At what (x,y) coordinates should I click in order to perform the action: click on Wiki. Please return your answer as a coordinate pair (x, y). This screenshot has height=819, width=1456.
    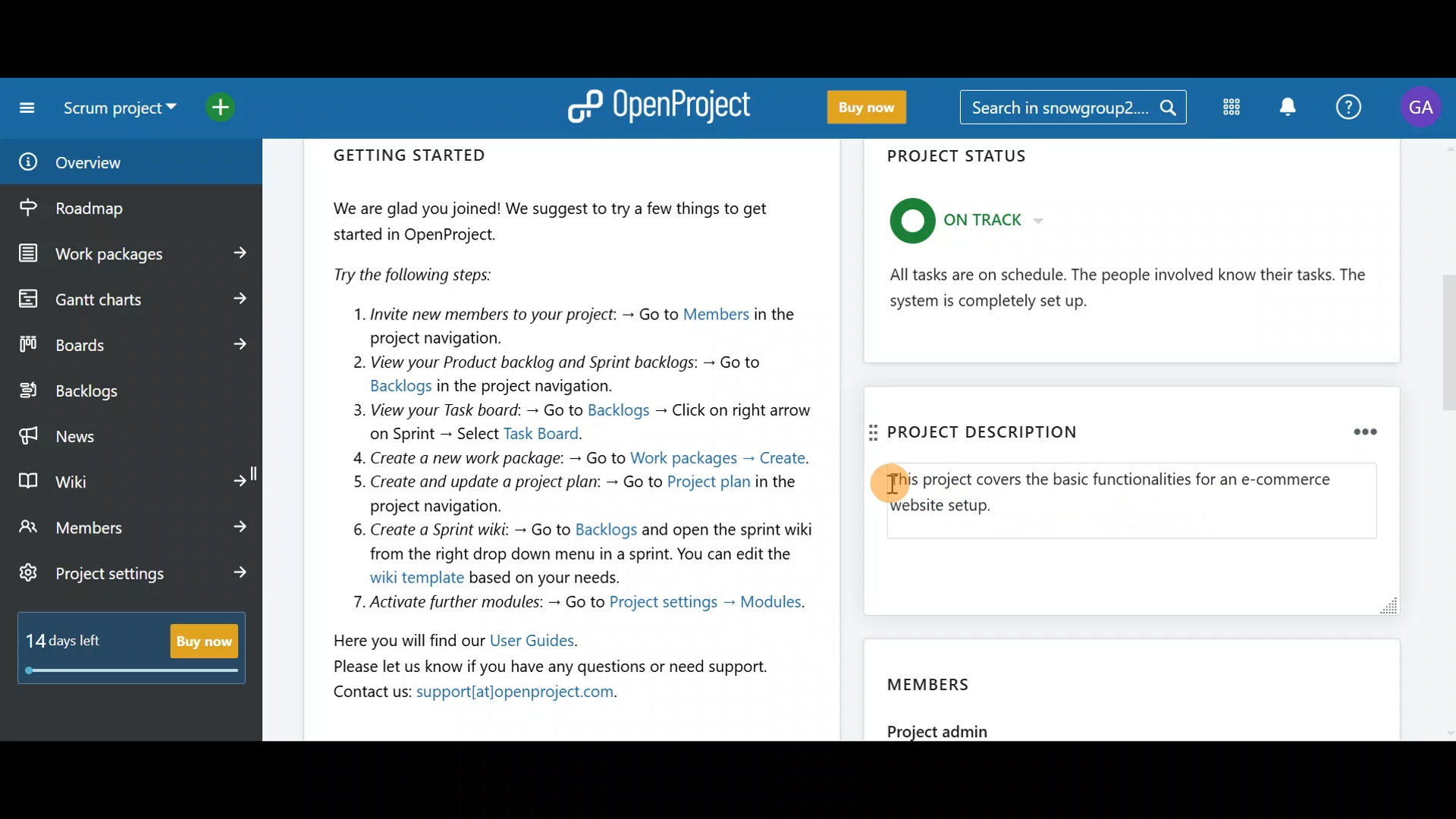
    Looking at the image, I should click on (131, 478).